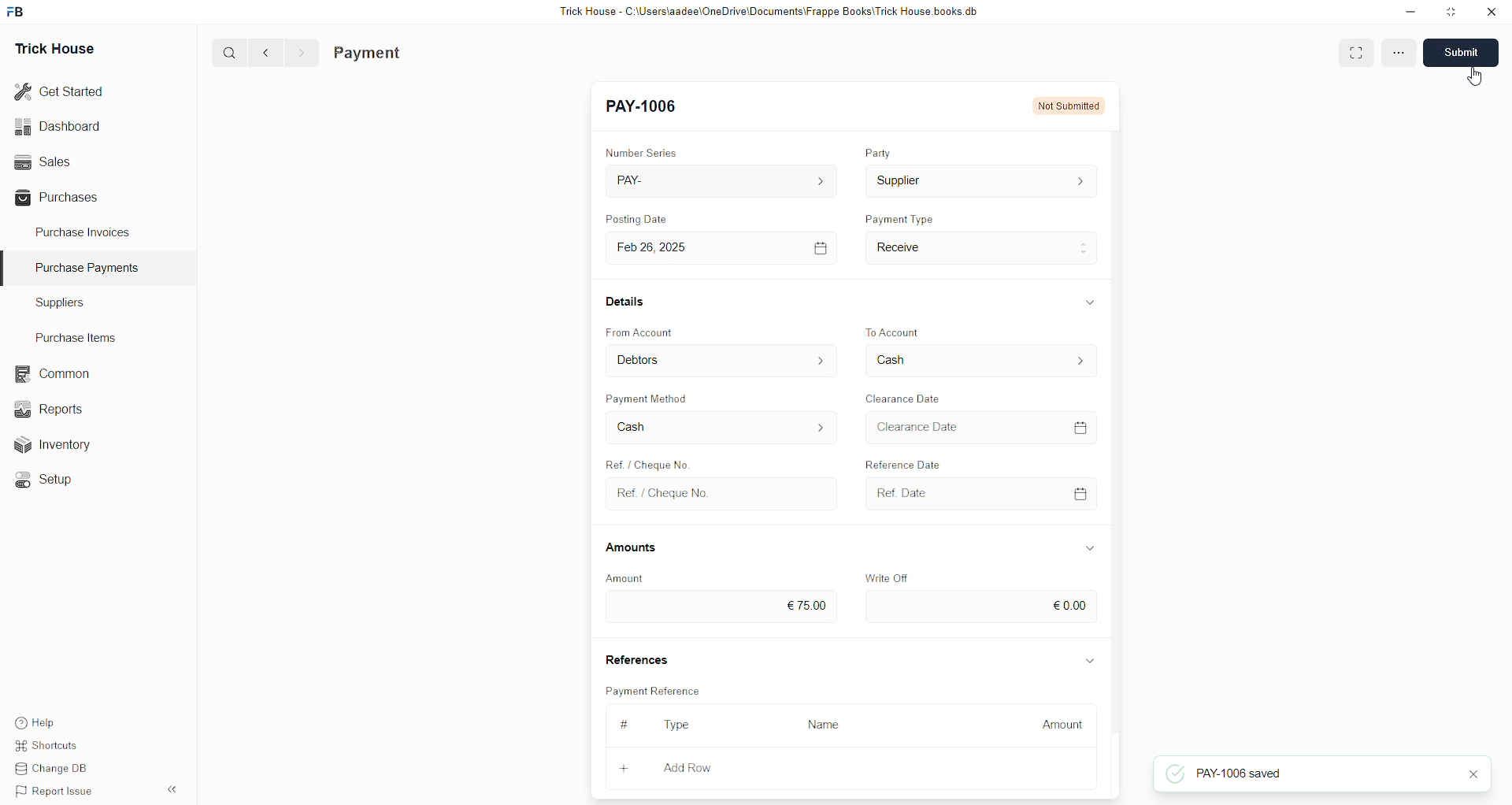  What do you see at coordinates (723, 360) in the screenshot?
I see `Debters` at bounding box center [723, 360].